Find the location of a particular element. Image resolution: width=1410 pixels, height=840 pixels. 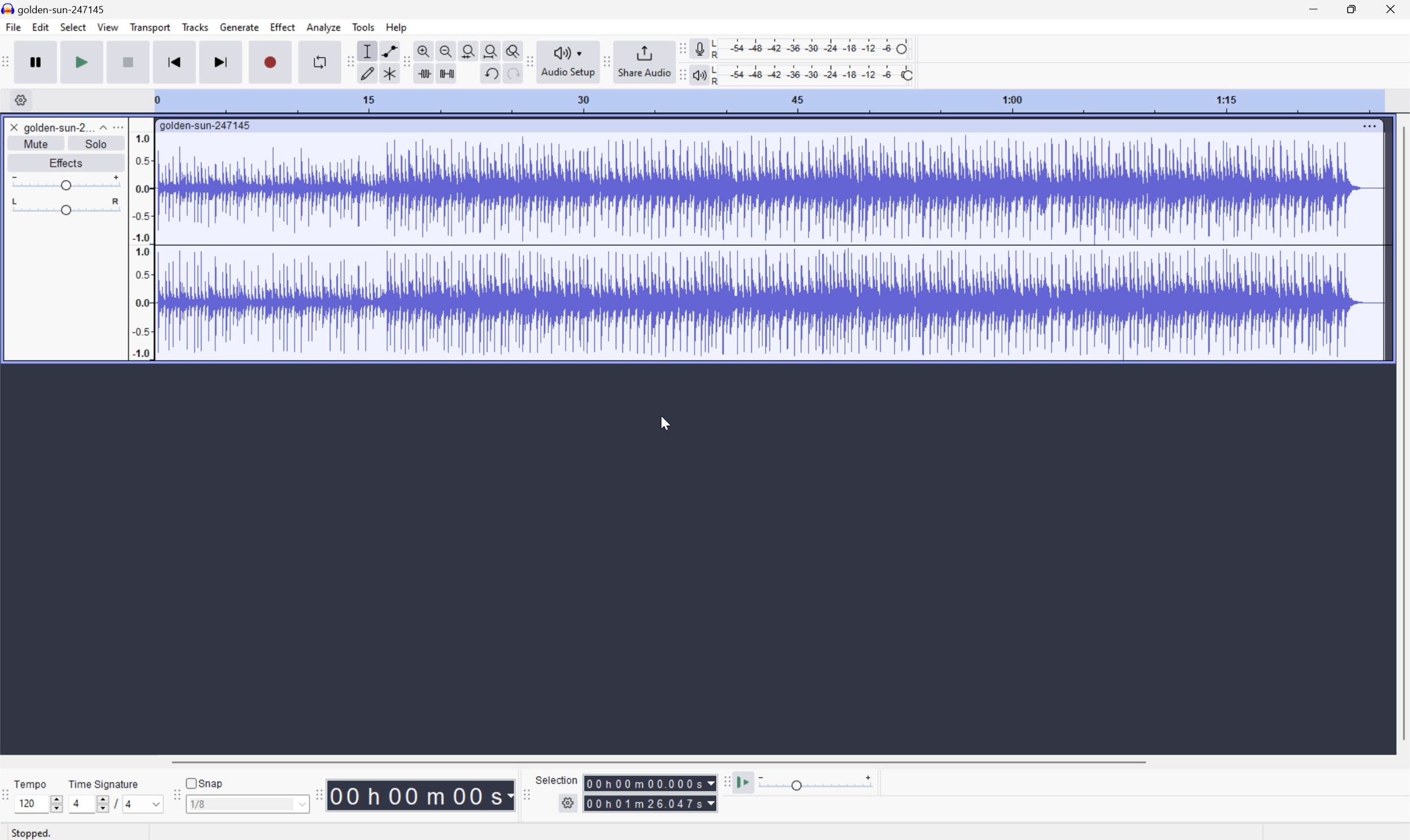

Selection Tool is located at coordinates (368, 50).